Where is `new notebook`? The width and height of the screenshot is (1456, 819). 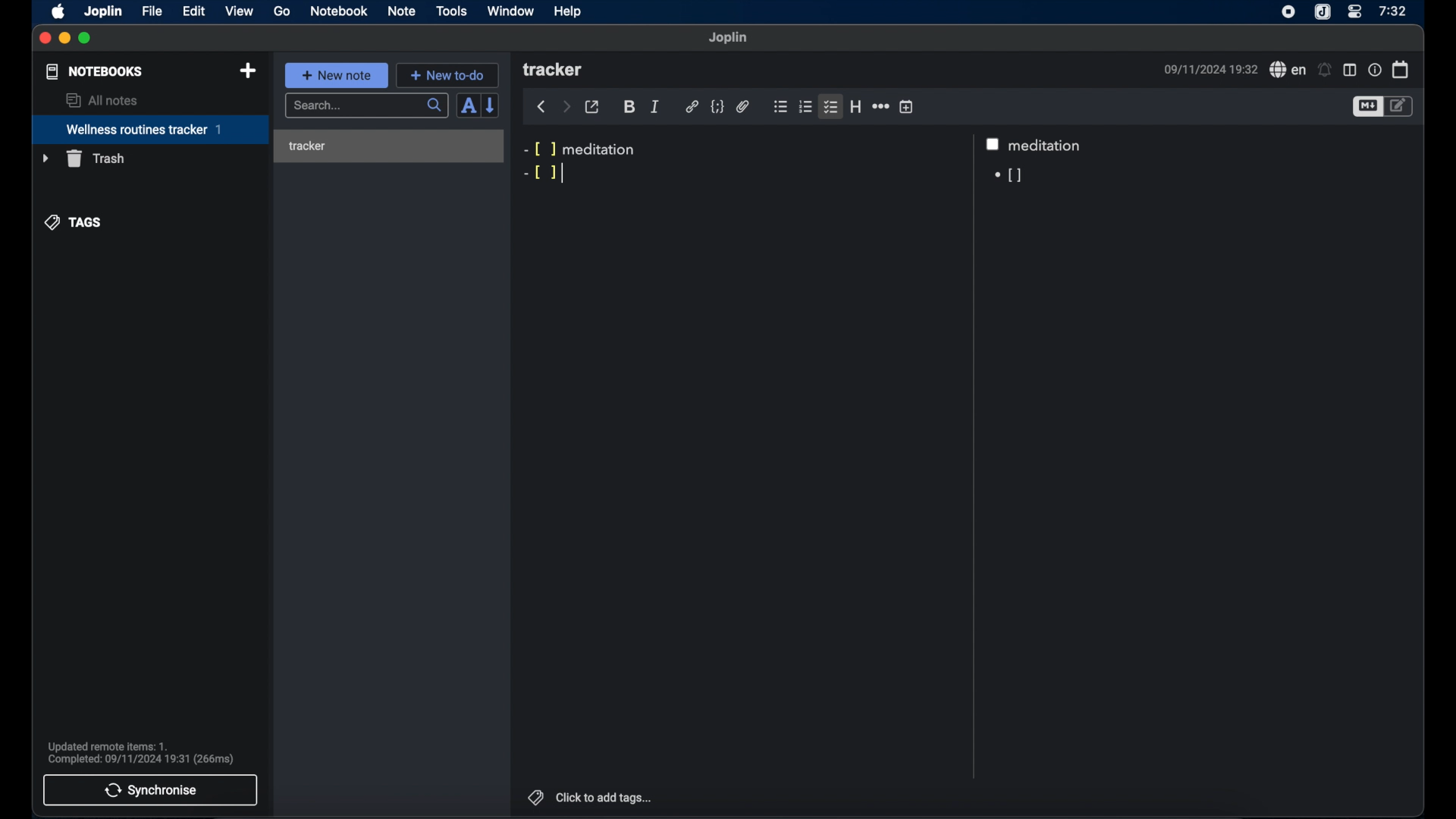 new notebook is located at coordinates (249, 71).